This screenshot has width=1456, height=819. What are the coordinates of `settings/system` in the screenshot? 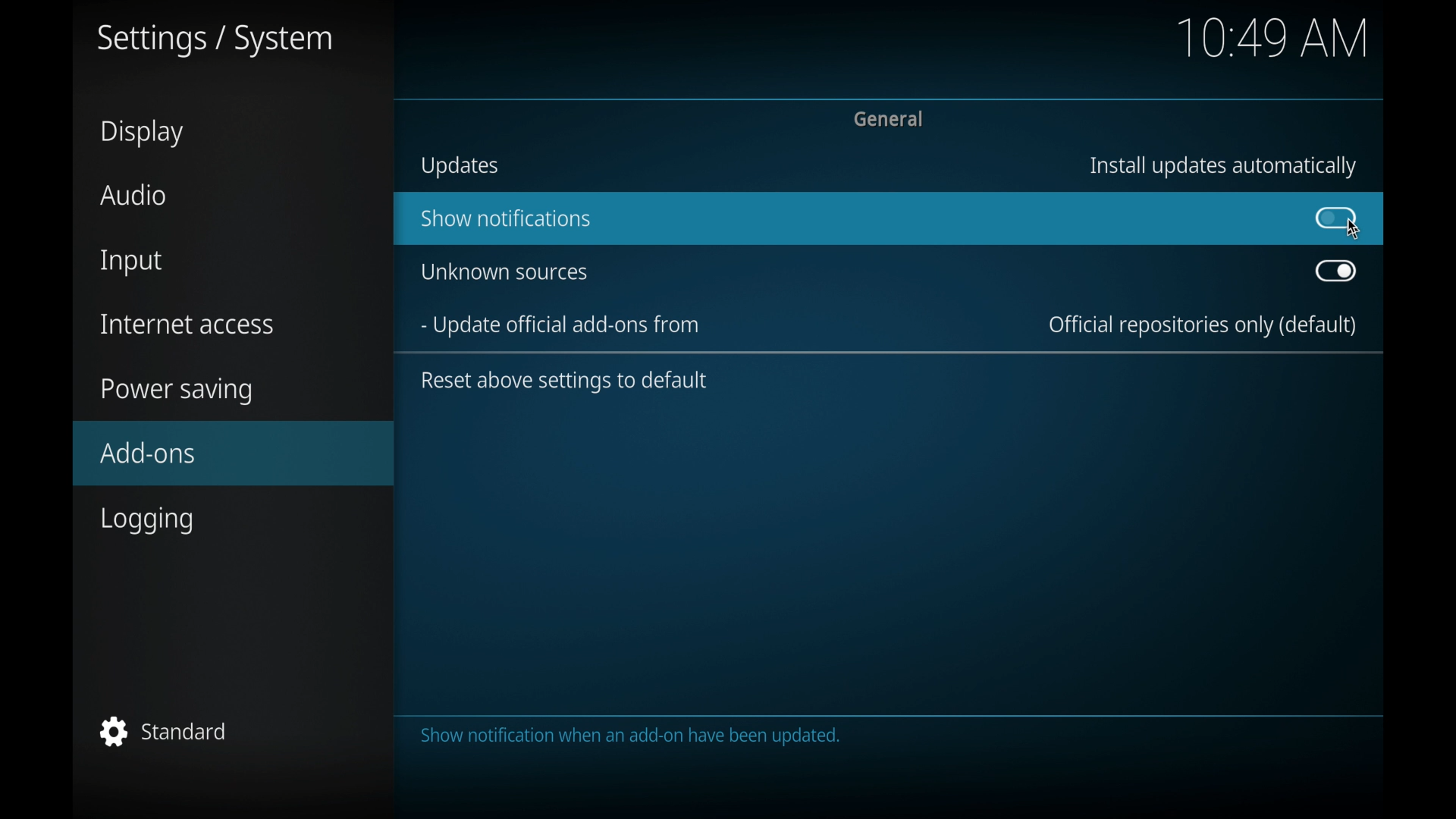 It's located at (215, 40).